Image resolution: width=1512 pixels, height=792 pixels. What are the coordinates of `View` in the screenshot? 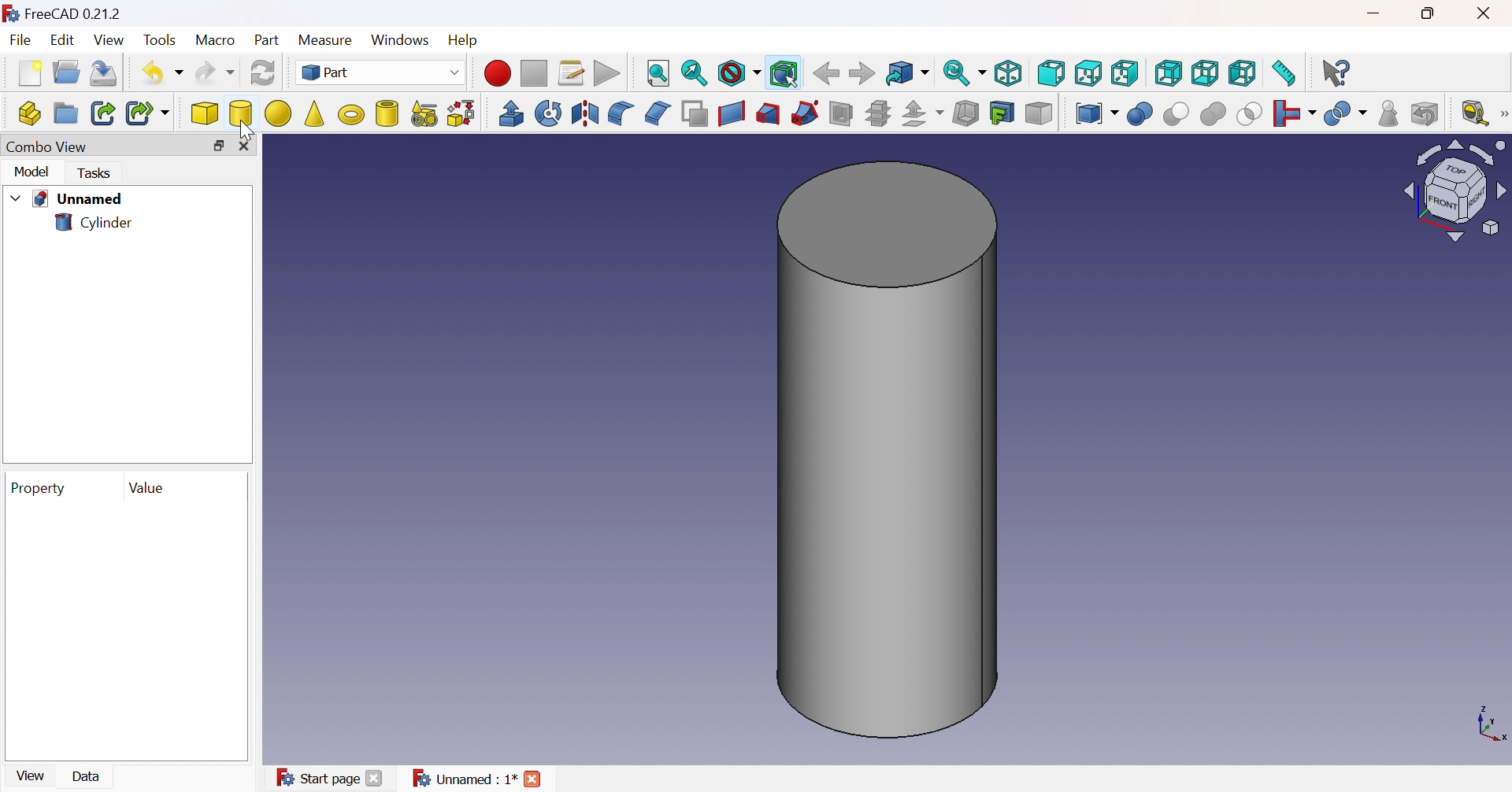 It's located at (34, 774).